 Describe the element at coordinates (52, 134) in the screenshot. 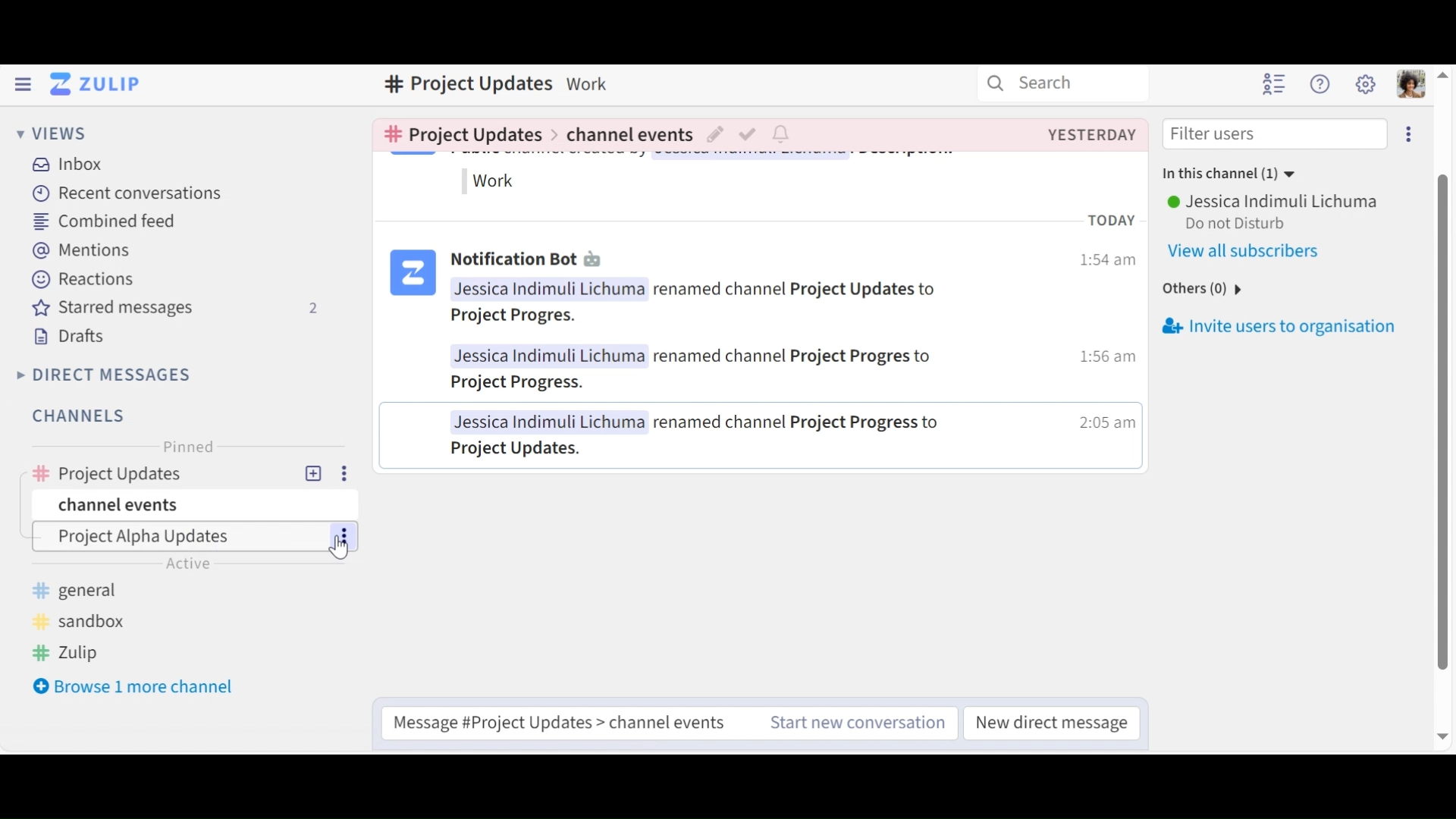

I see `Views` at that location.